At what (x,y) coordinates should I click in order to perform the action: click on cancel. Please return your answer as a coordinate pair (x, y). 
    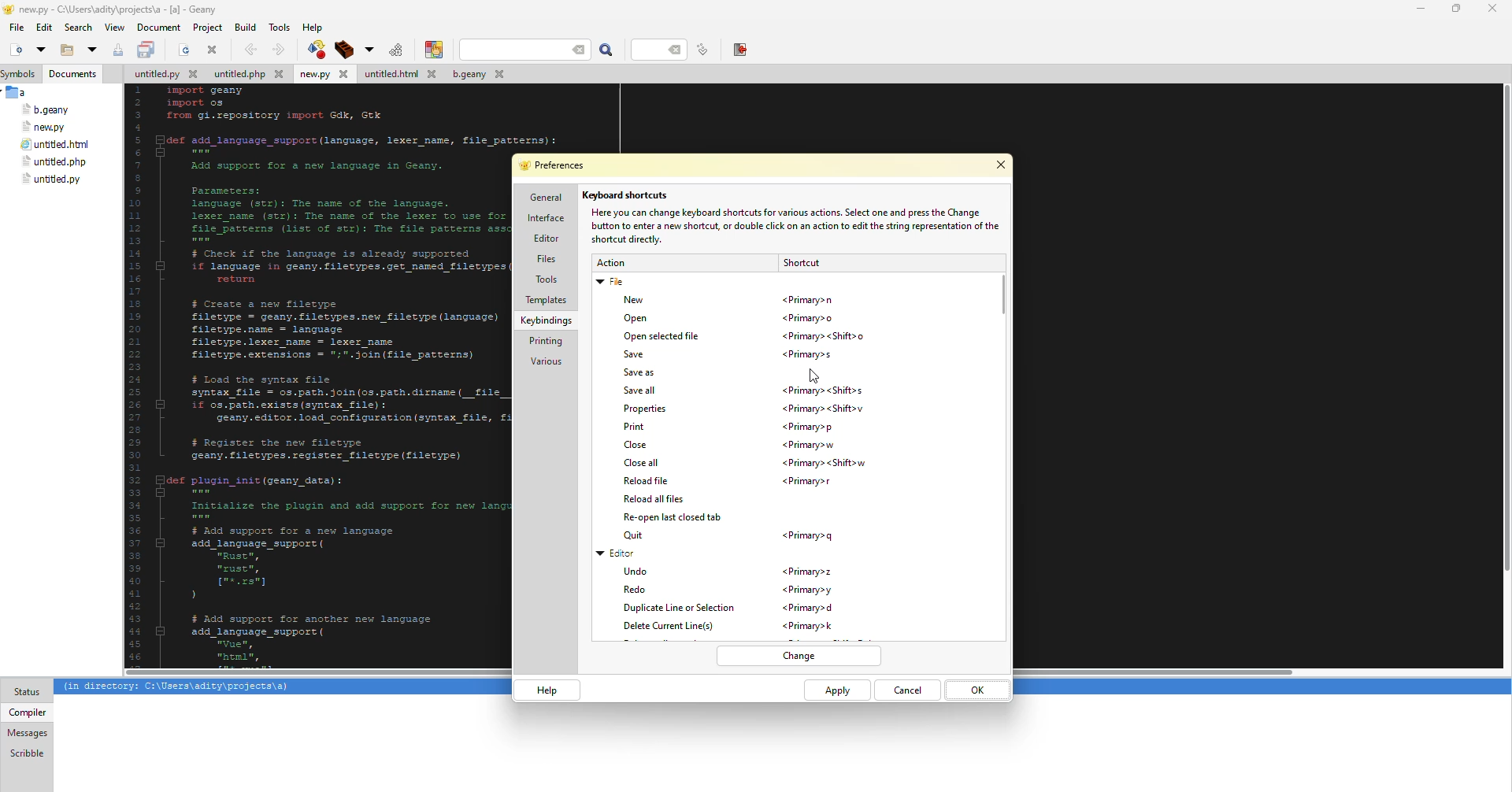
    Looking at the image, I should click on (908, 690).